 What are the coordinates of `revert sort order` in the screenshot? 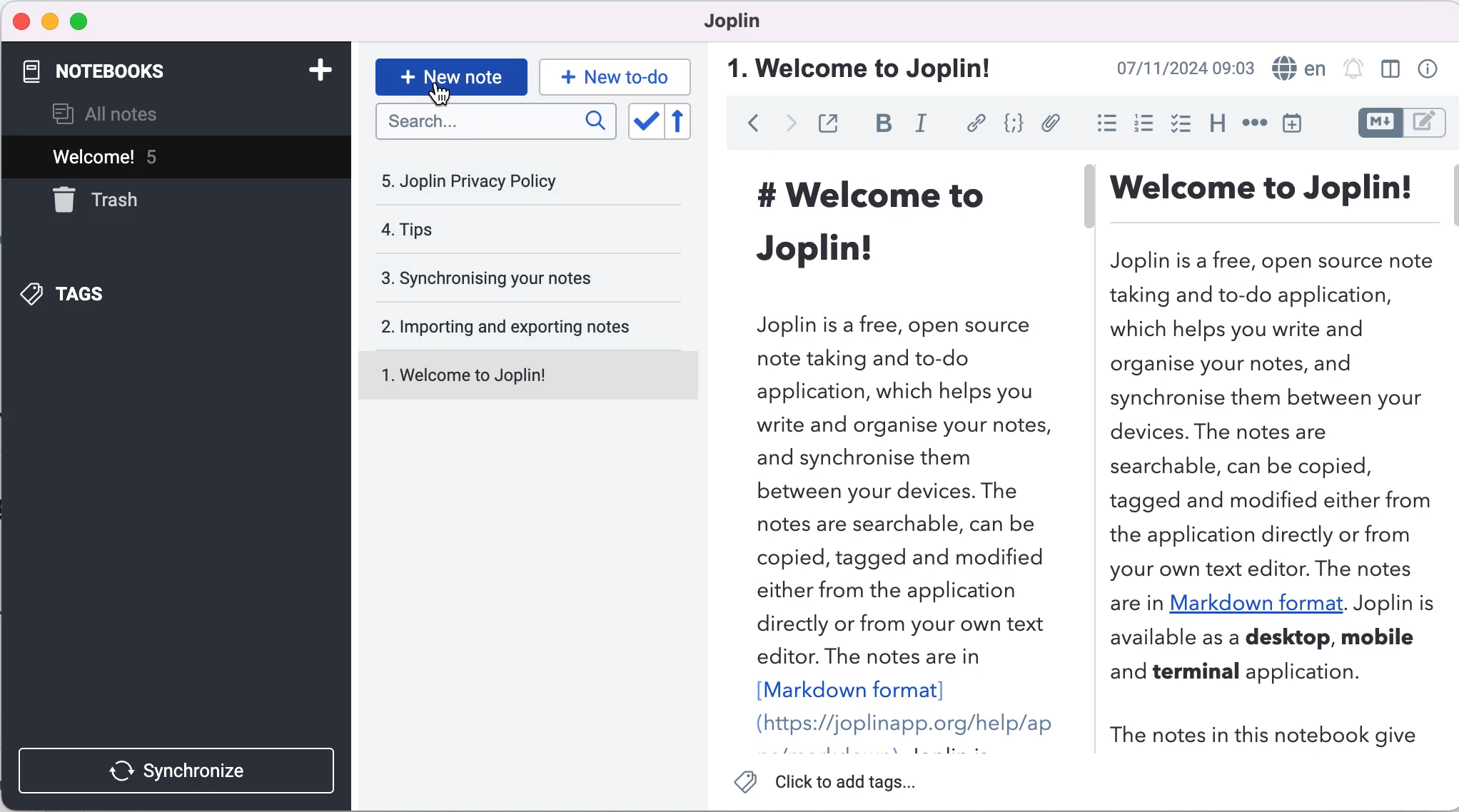 It's located at (685, 123).